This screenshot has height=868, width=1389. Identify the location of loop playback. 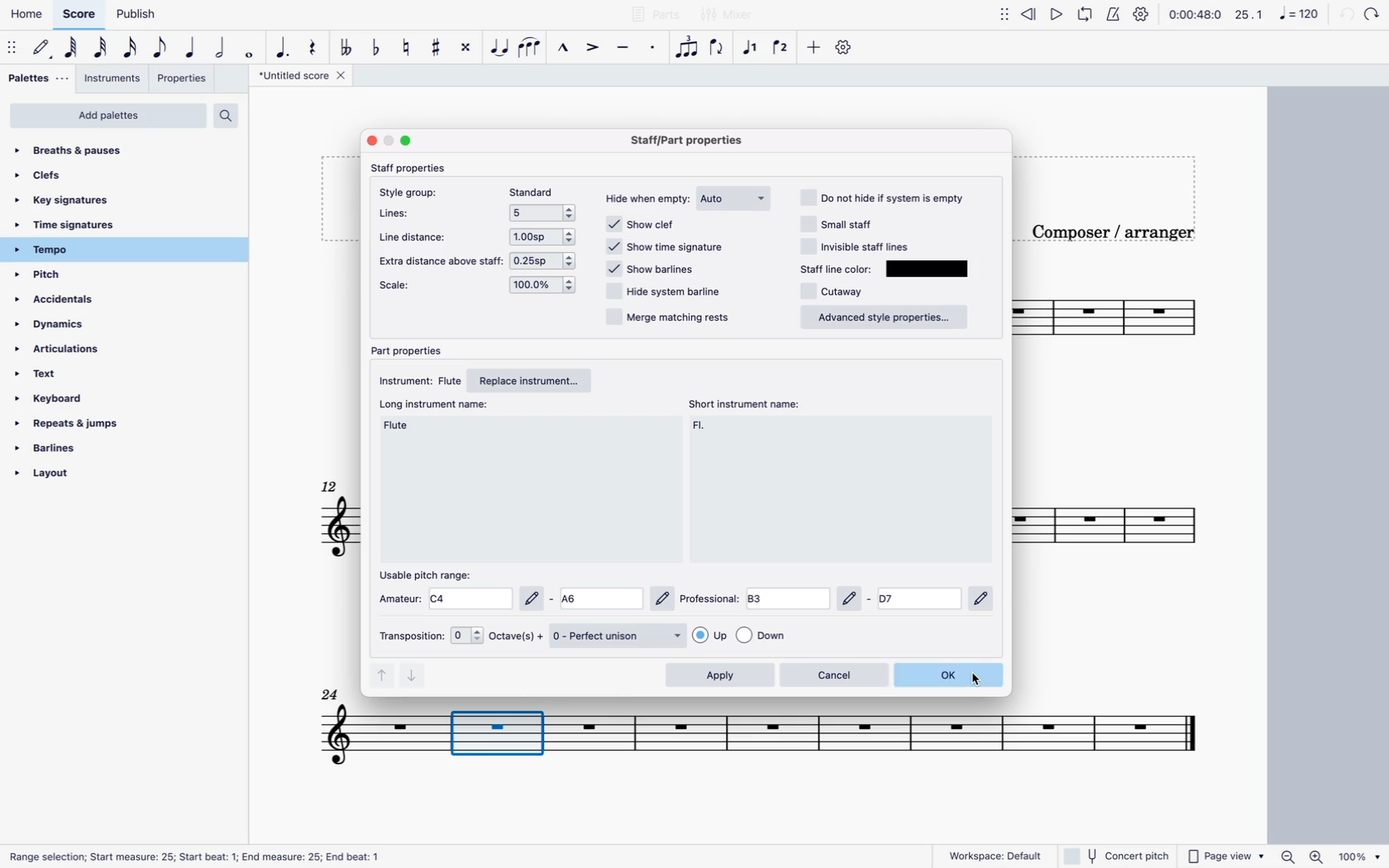
(1086, 16).